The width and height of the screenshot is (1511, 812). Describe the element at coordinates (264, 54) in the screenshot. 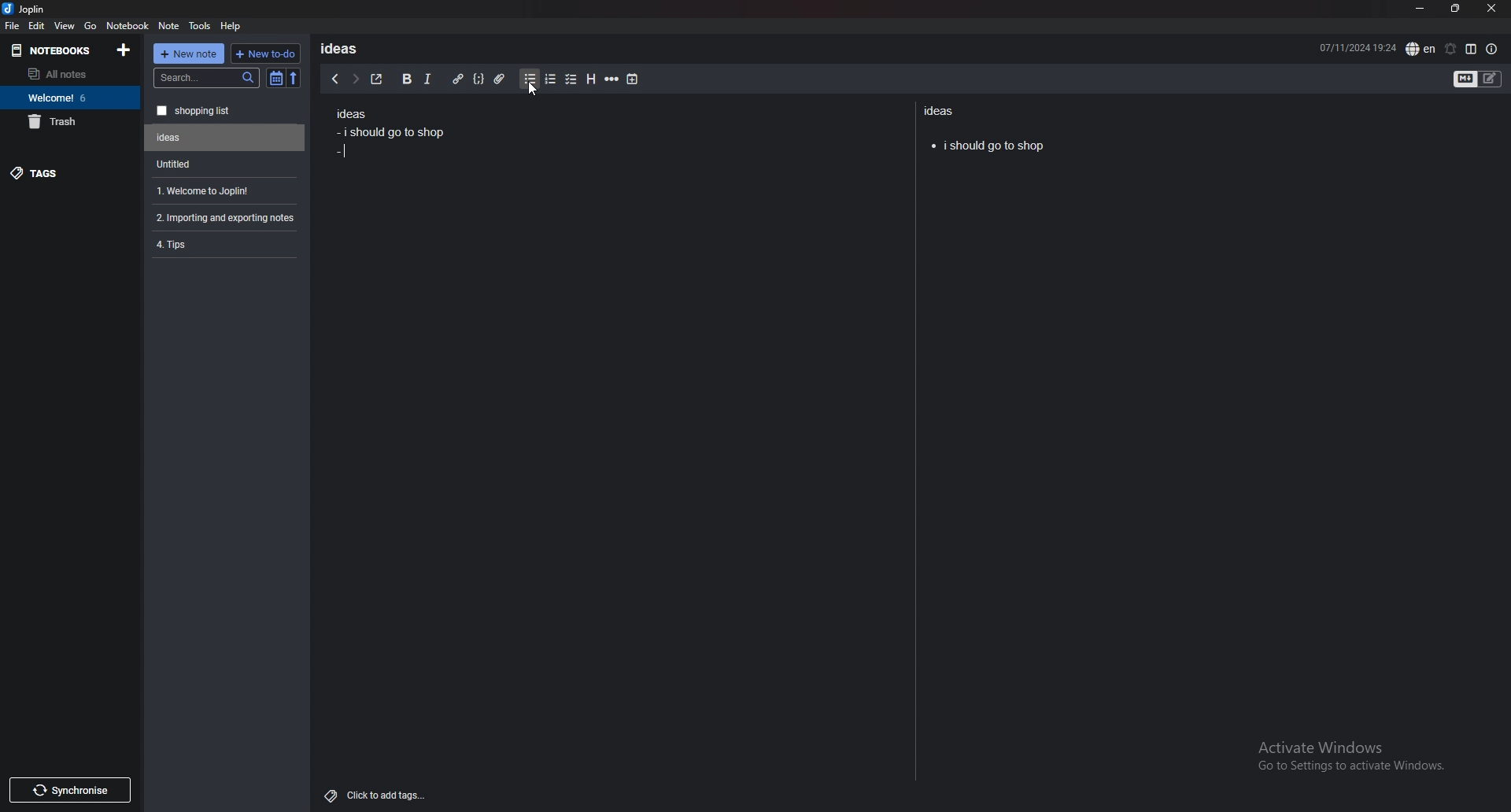

I see `new todo` at that location.